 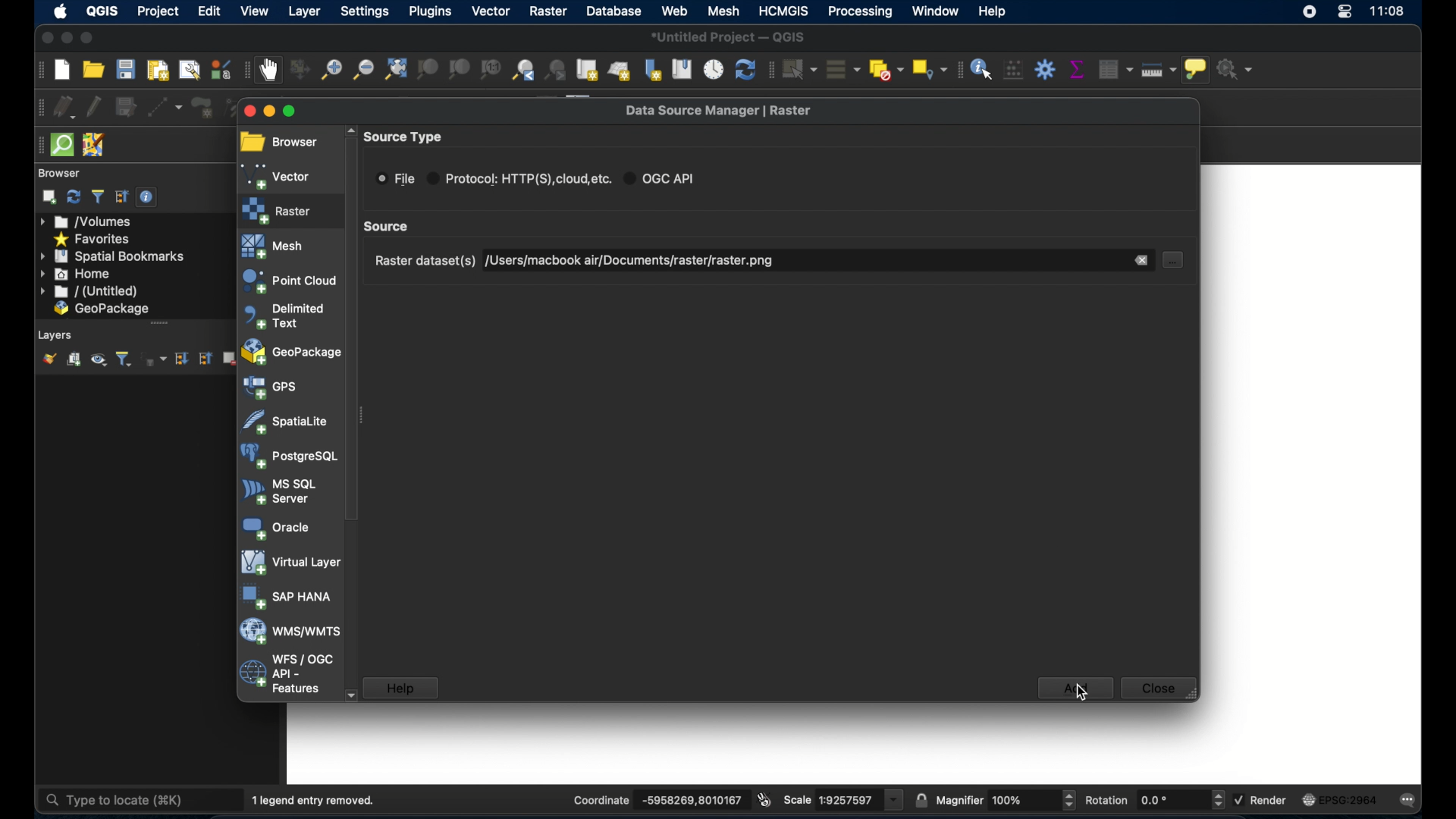 What do you see at coordinates (101, 309) in the screenshot?
I see `geo package` at bounding box center [101, 309].